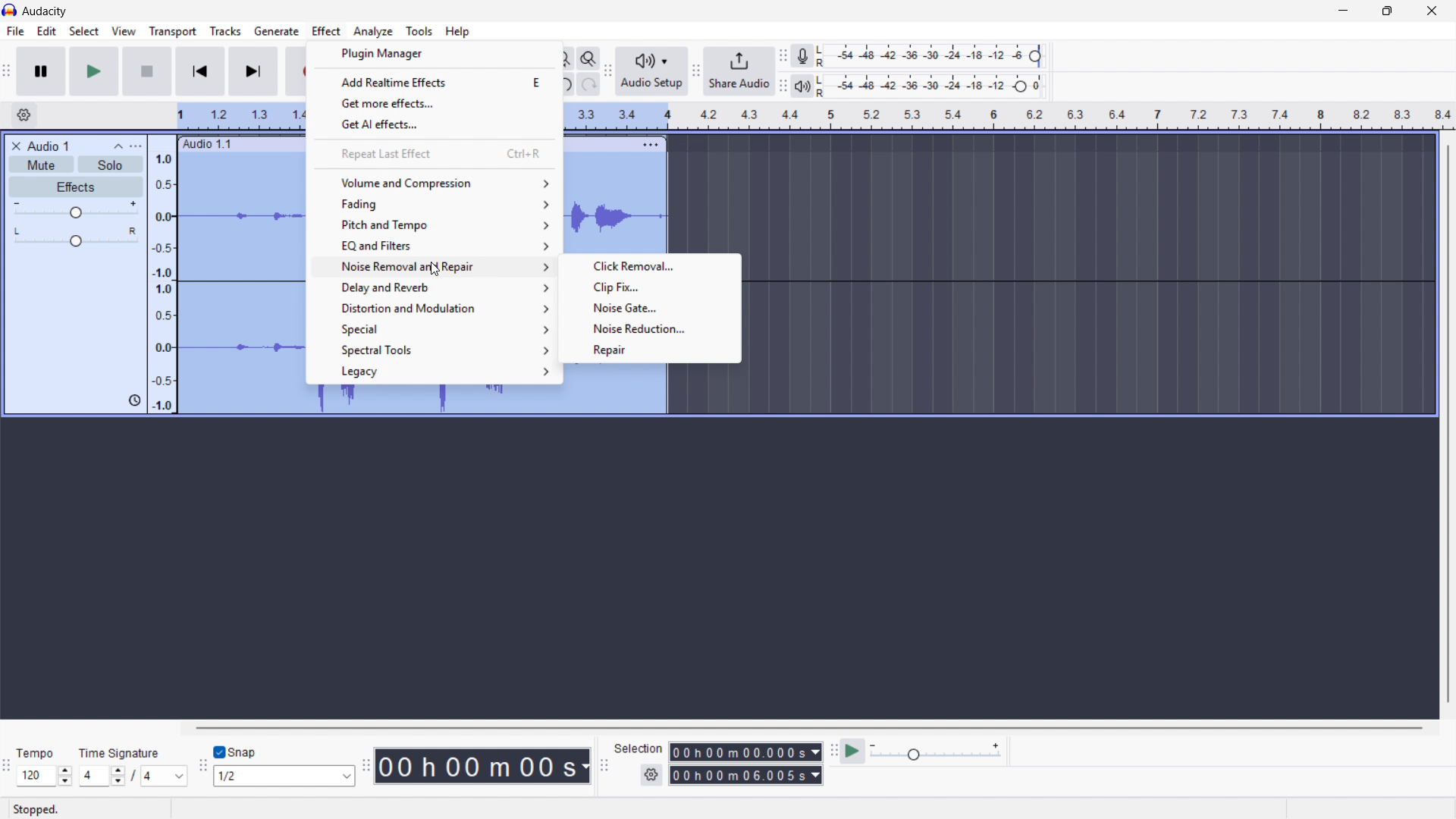 The width and height of the screenshot is (1456, 819). What do you see at coordinates (745, 776) in the screenshot?
I see `selection end time` at bounding box center [745, 776].